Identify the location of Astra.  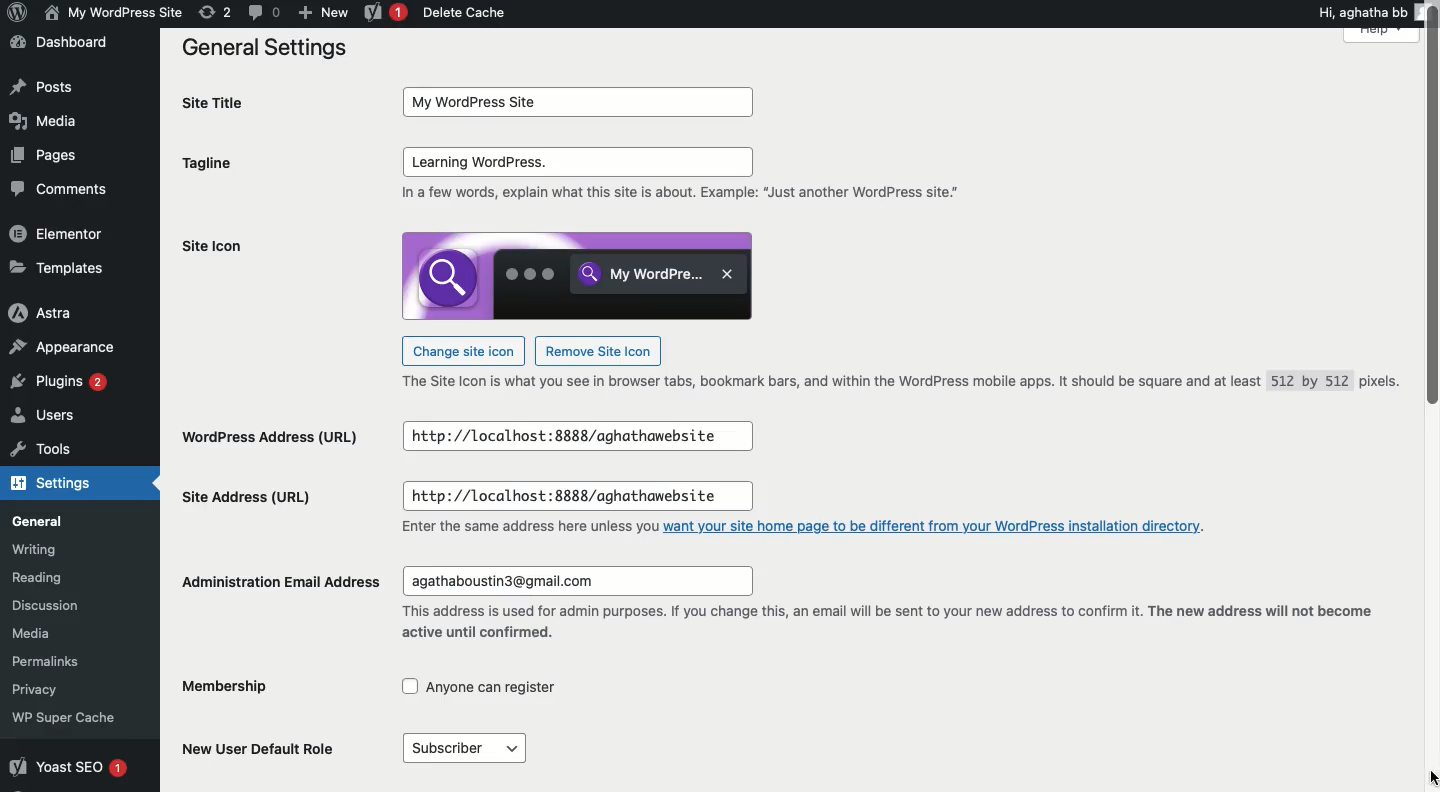
(55, 313).